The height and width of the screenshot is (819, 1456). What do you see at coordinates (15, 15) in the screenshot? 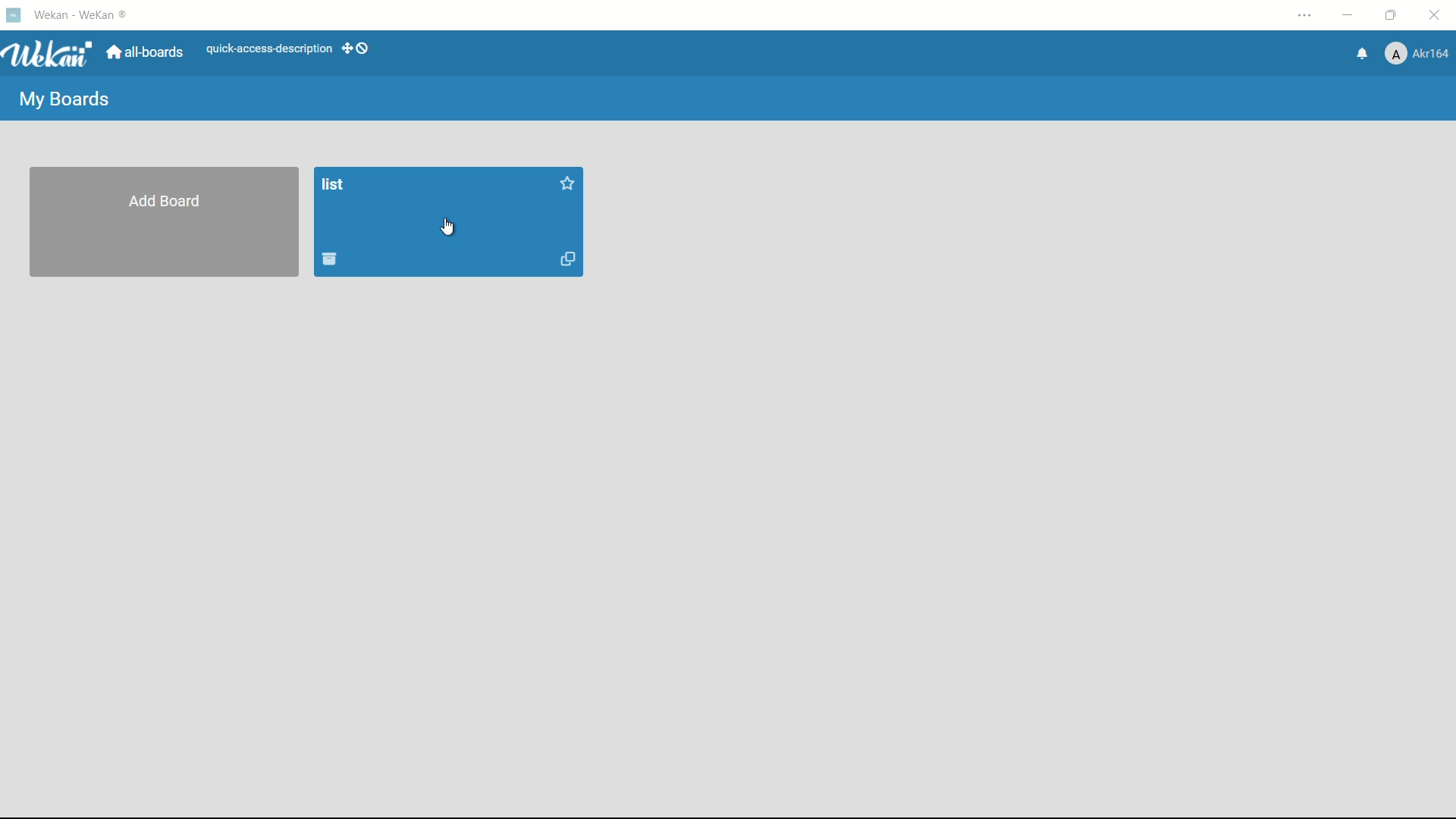
I see `app icon` at bounding box center [15, 15].